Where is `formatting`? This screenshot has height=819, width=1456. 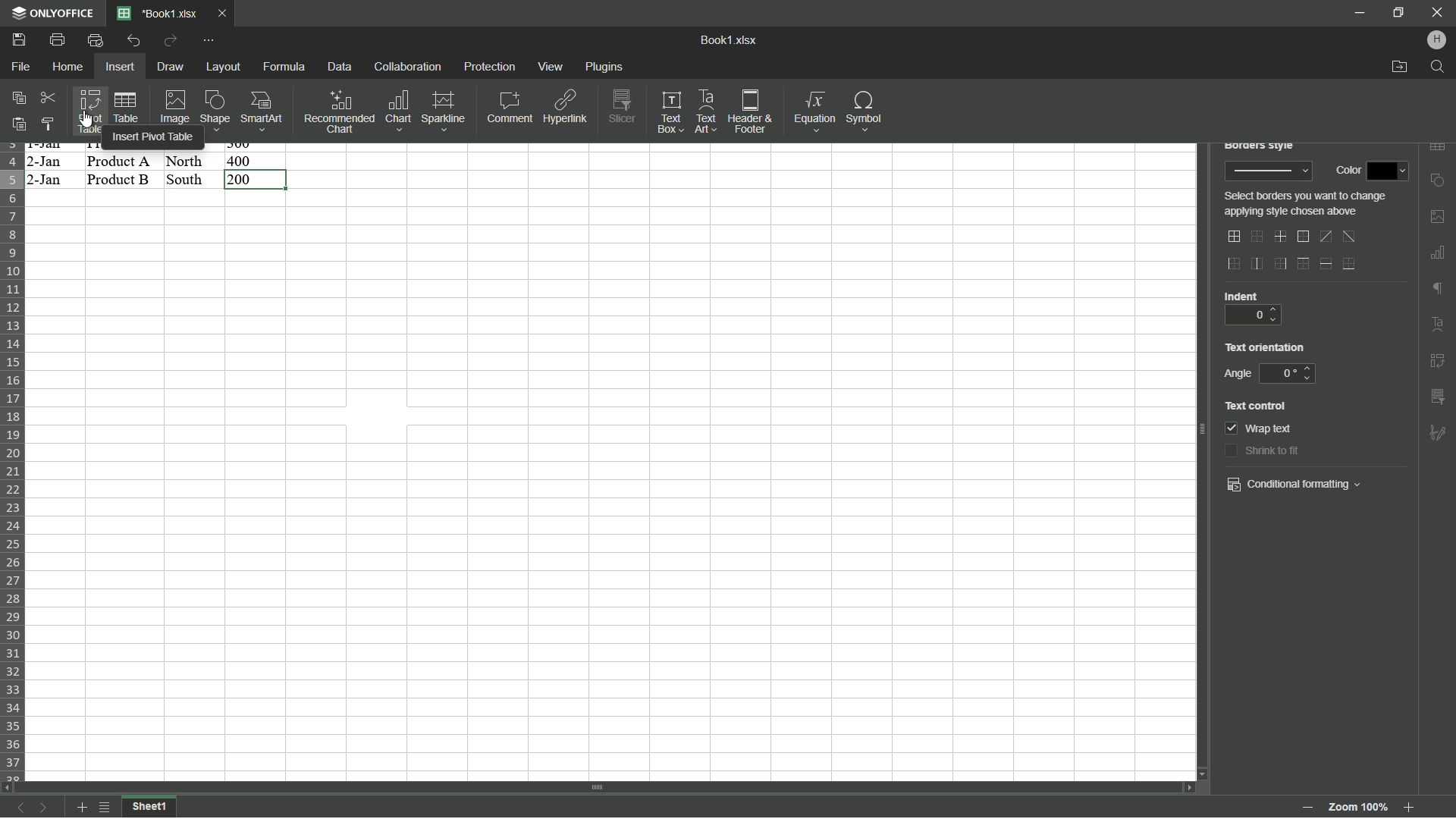
formatting is located at coordinates (1438, 431).